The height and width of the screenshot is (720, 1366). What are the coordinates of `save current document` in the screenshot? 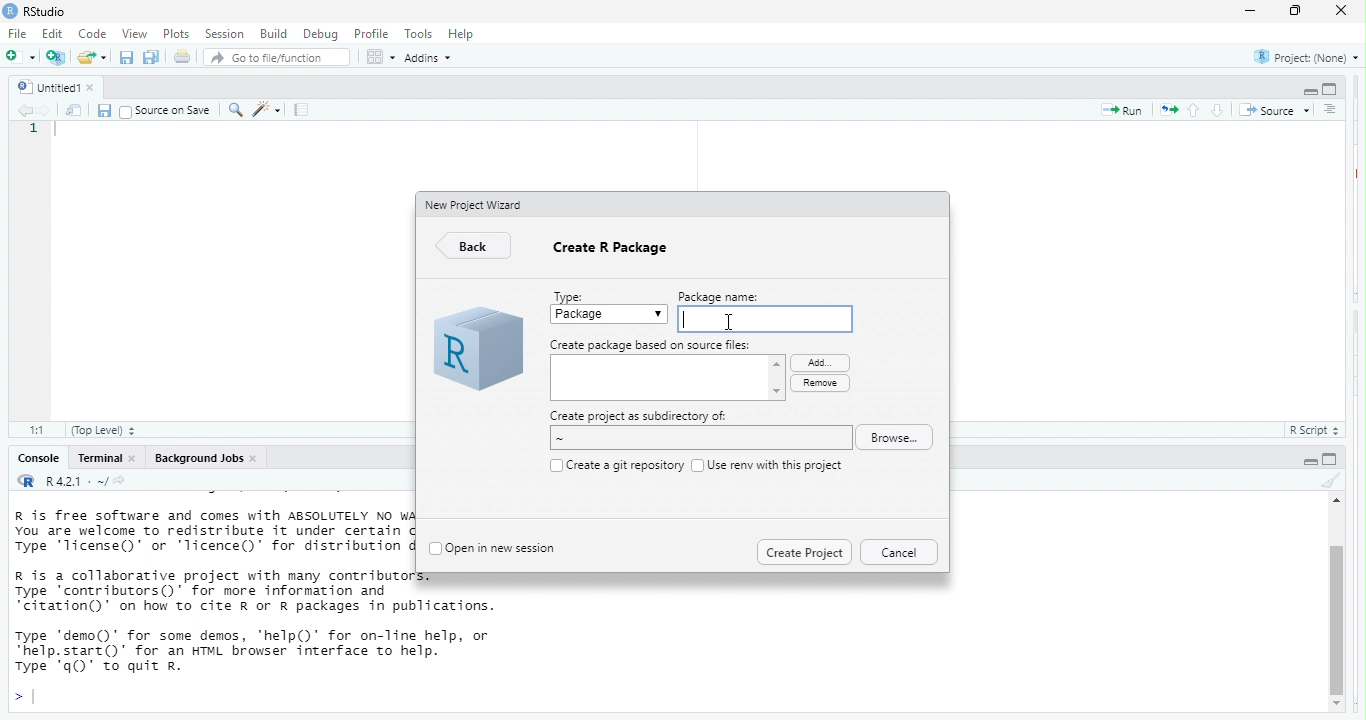 It's located at (105, 110).